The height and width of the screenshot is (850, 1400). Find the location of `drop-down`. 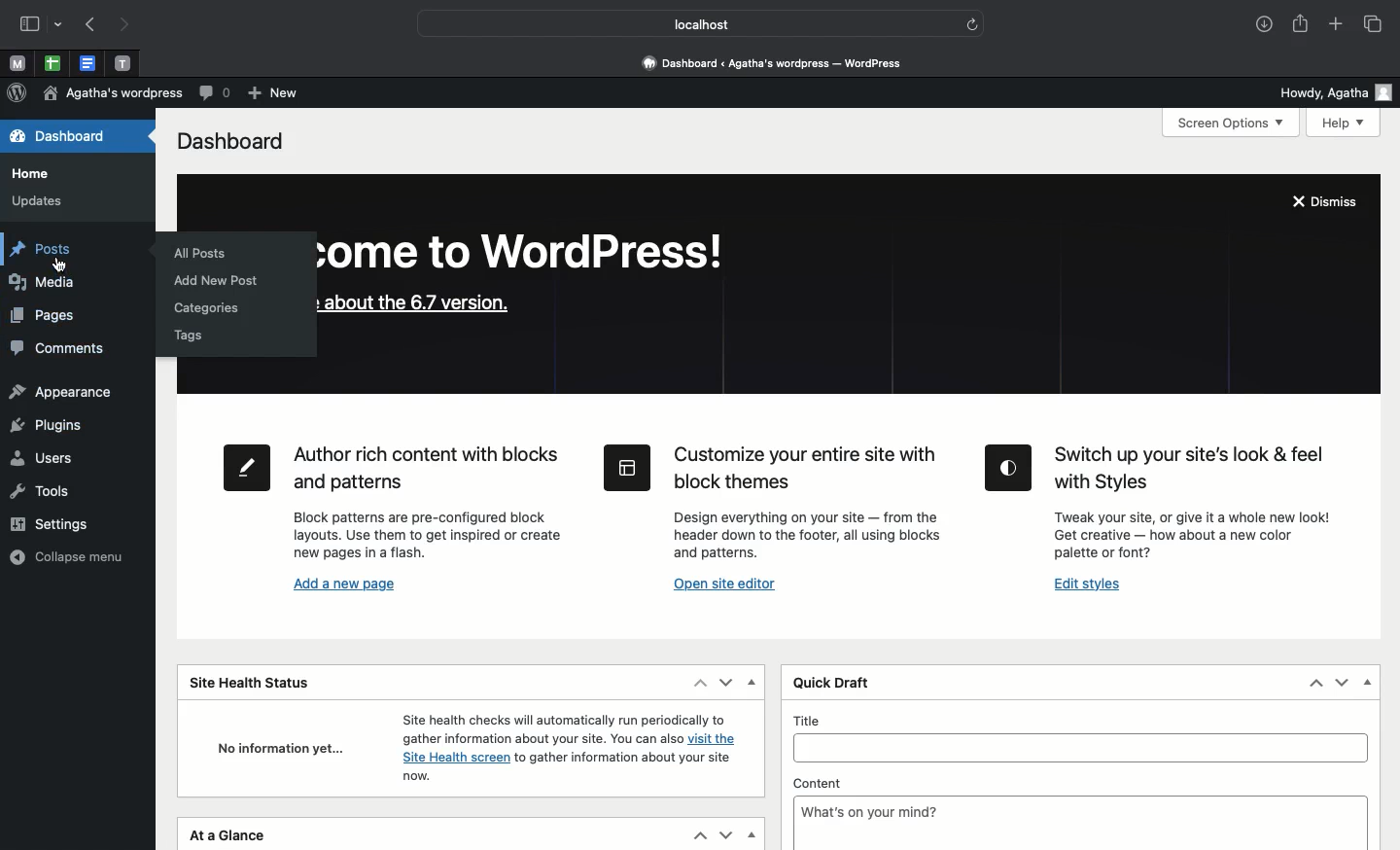

drop-down is located at coordinates (60, 26).